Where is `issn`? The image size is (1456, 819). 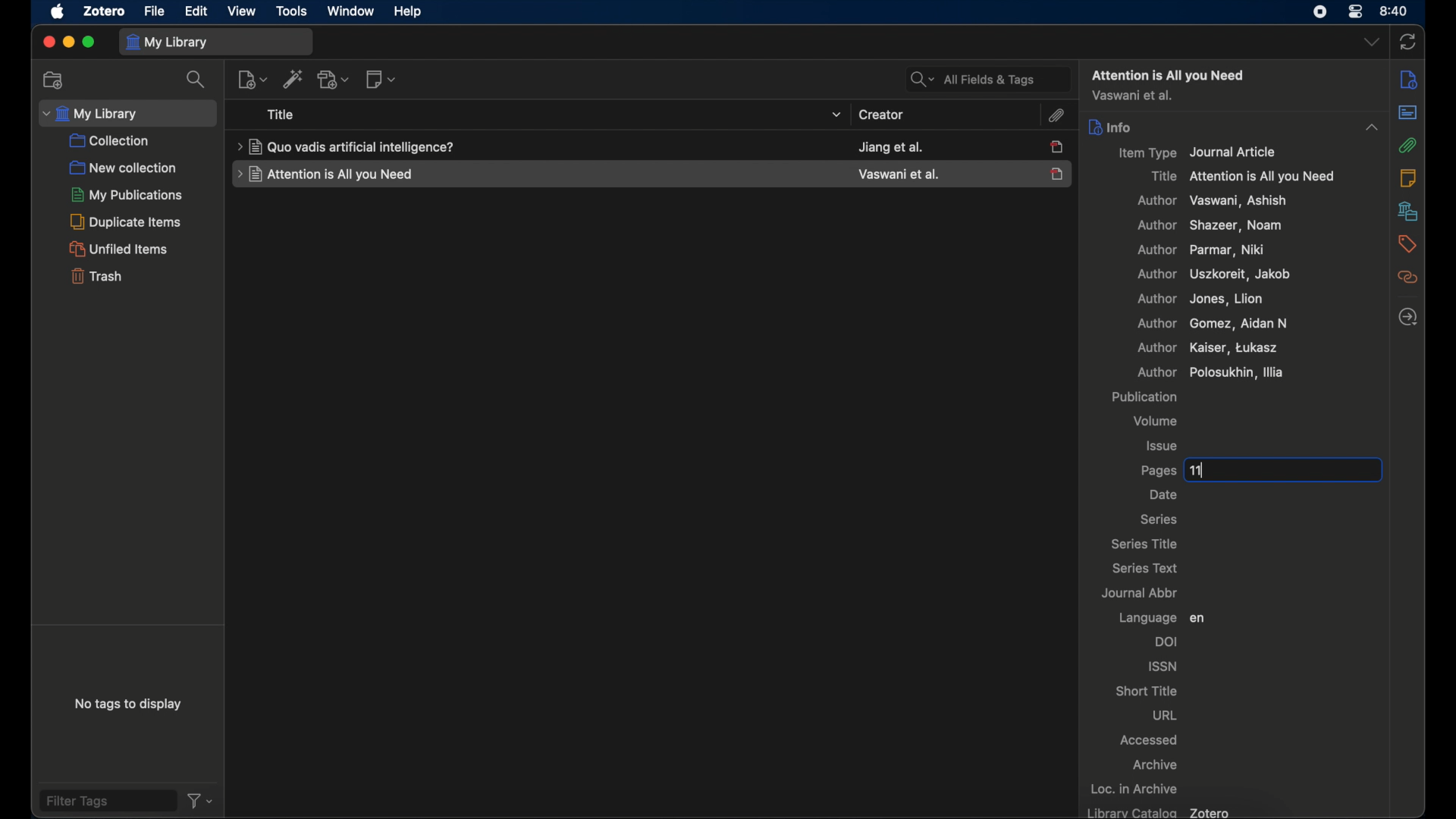
issn is located at coordinates (1162, 665).